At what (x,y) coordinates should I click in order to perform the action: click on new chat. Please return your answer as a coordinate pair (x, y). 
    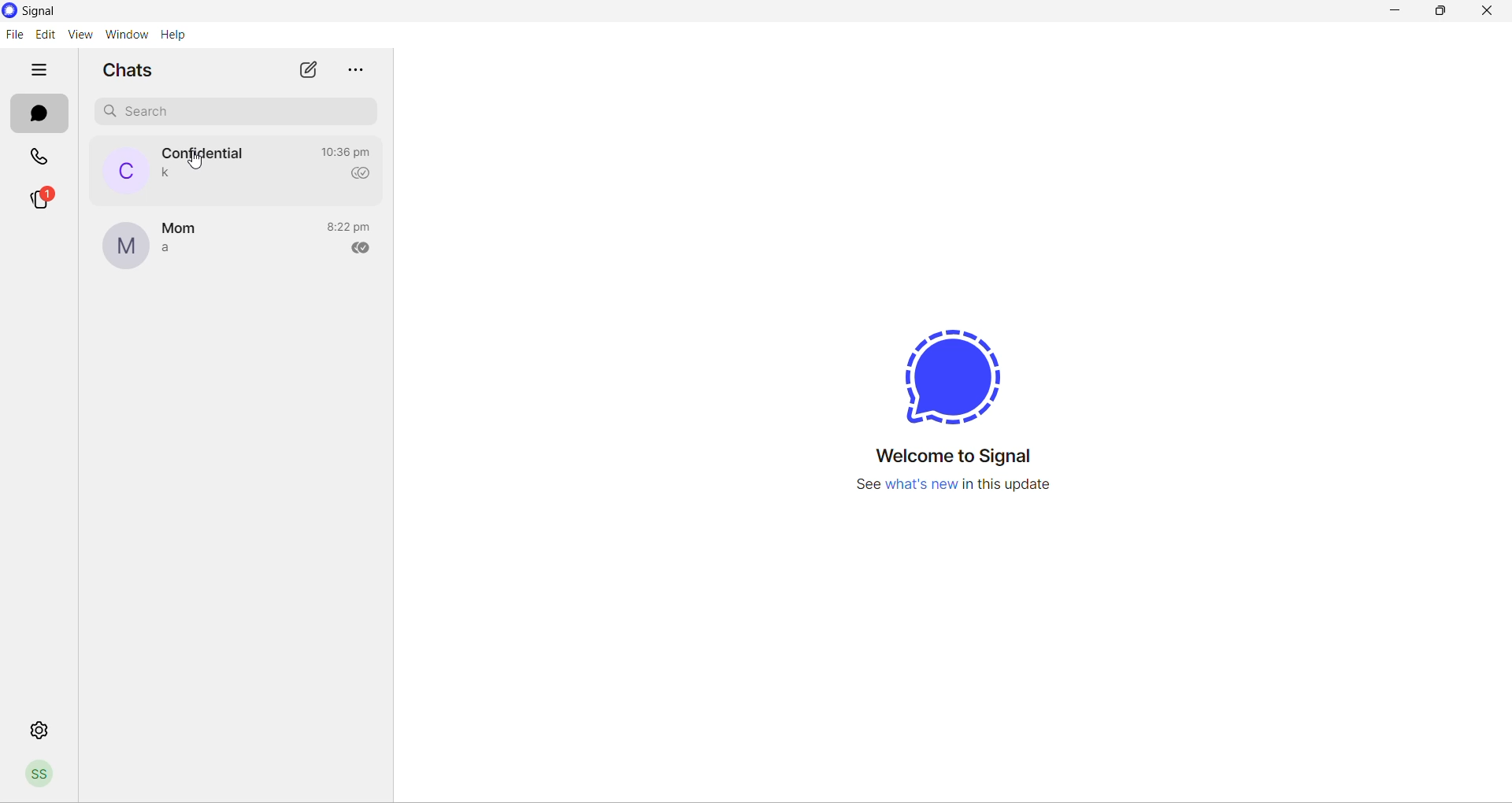
    Looking at the image, I should click on (306, 71).